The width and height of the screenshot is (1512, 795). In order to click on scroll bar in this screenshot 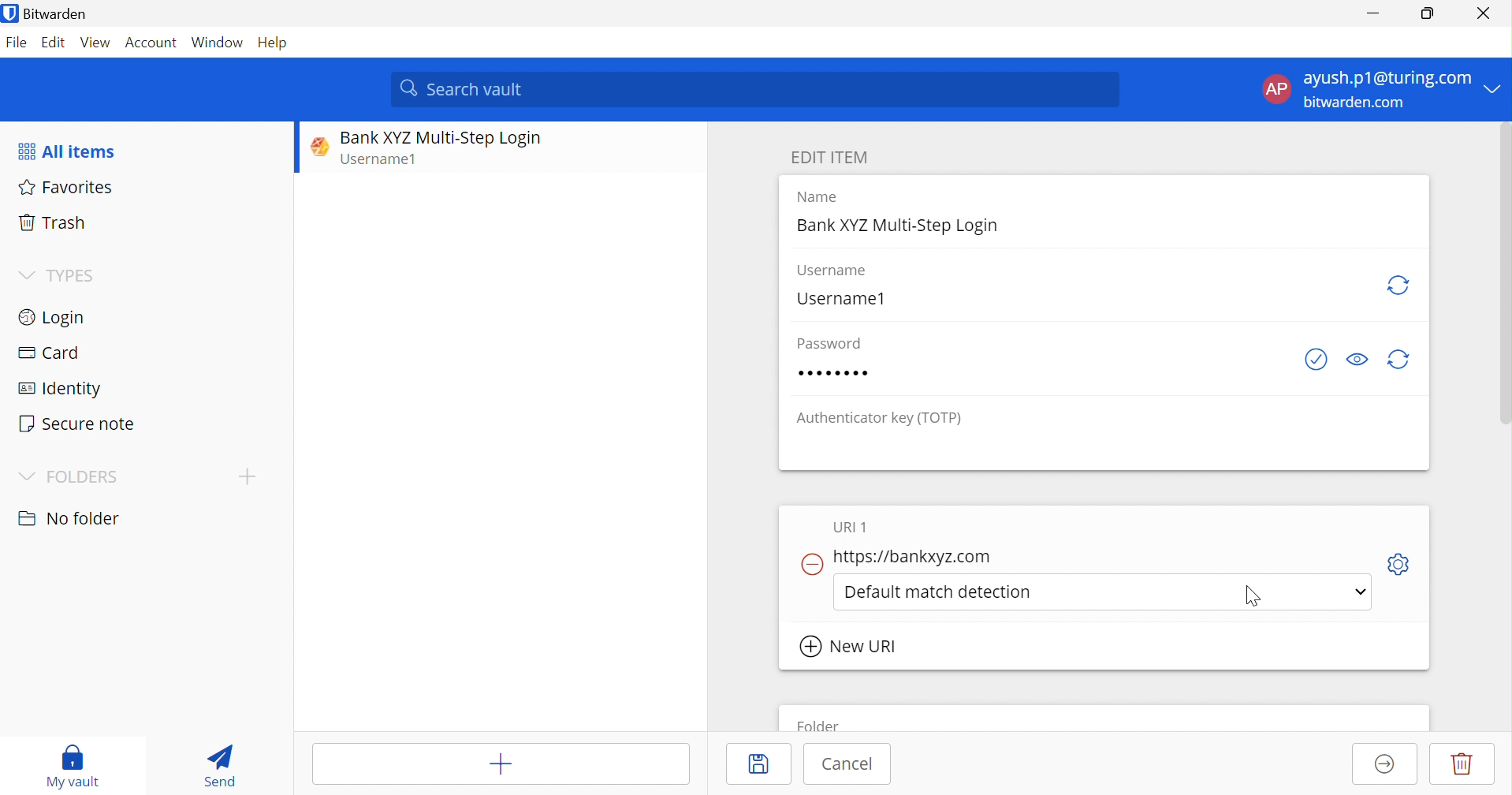, I will do `click(1502, 289)`.